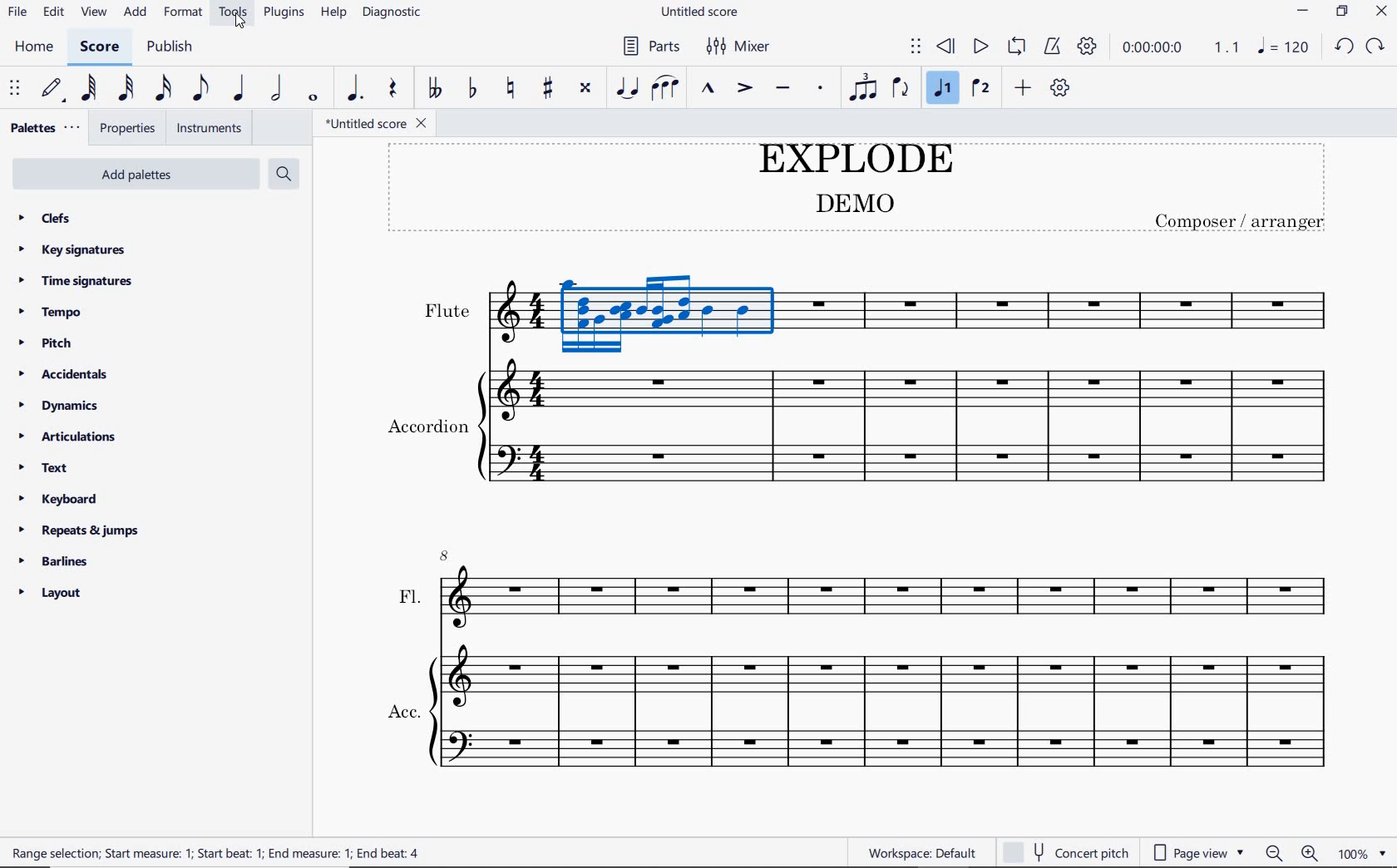 The image size is (1397, 868). What do you see at coordinates (133, 175) in the screenshot?
I see `add palettes` at bounding box center [133, 175].